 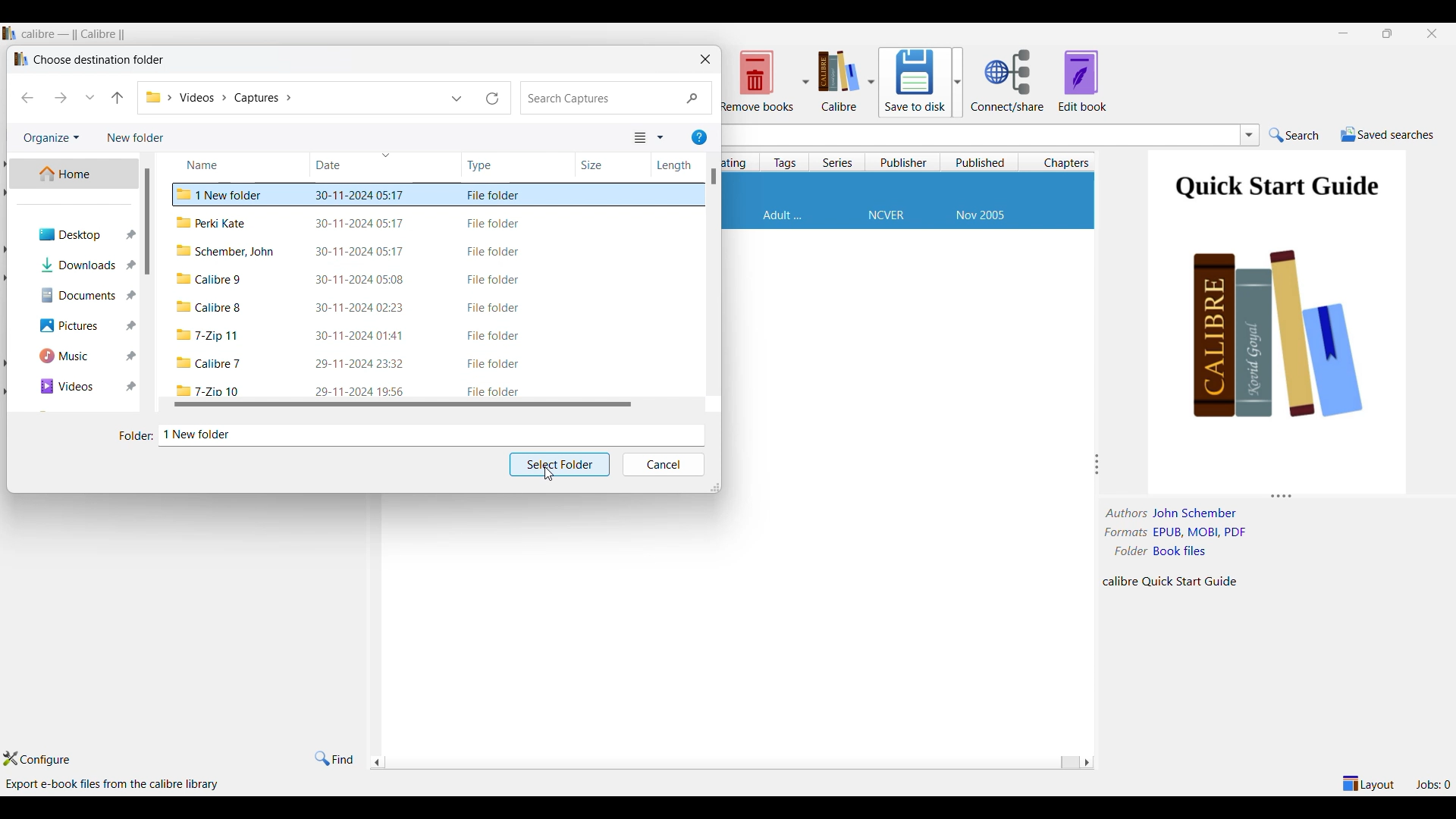 What do you see at coordinates (978, 135) in the screenshot?
I see `Input search` at bounding box center [978, 135].